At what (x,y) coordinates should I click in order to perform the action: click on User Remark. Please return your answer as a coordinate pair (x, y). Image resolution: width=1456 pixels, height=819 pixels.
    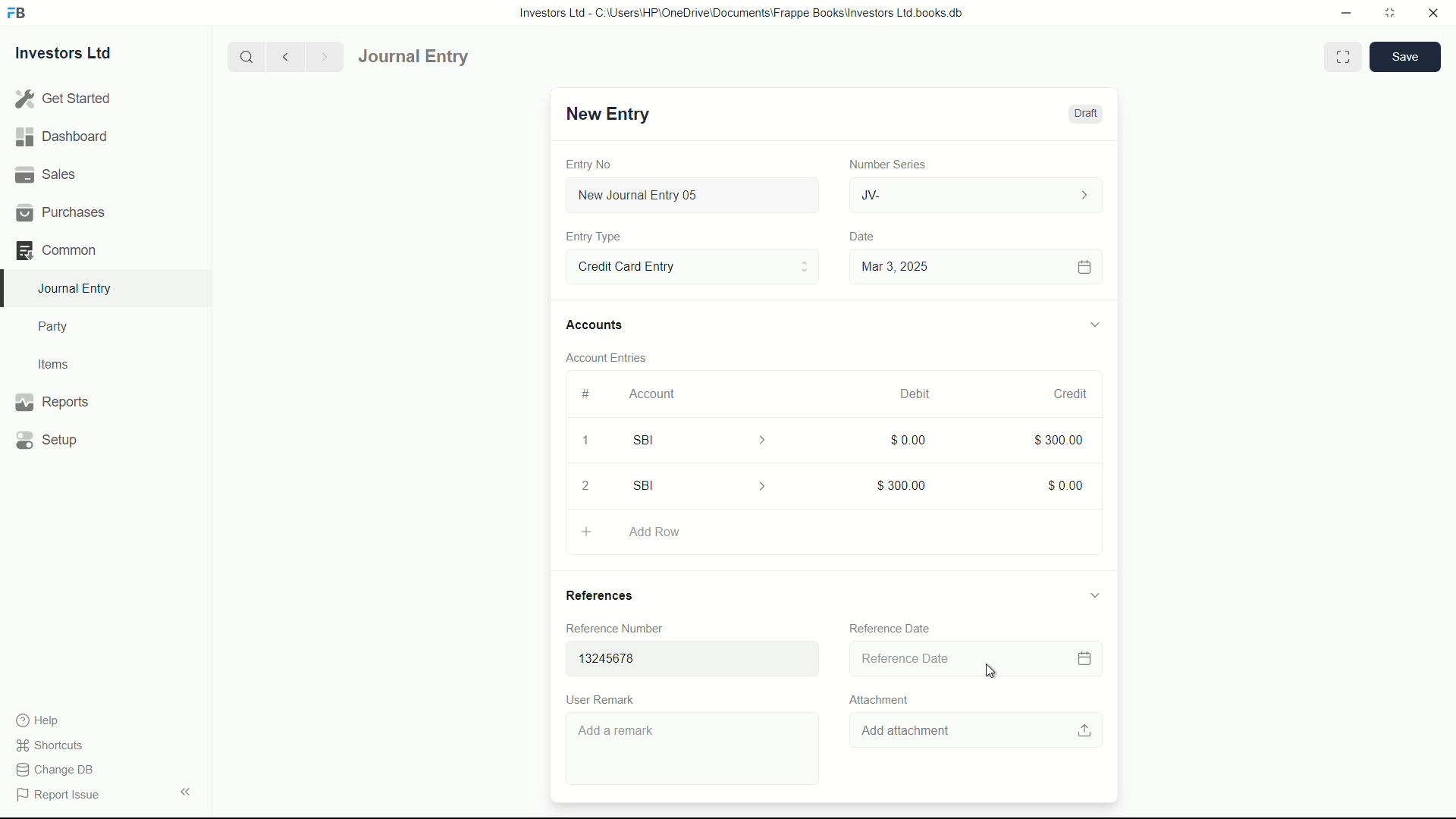
    Looking at the image, I should click on (604, 698).